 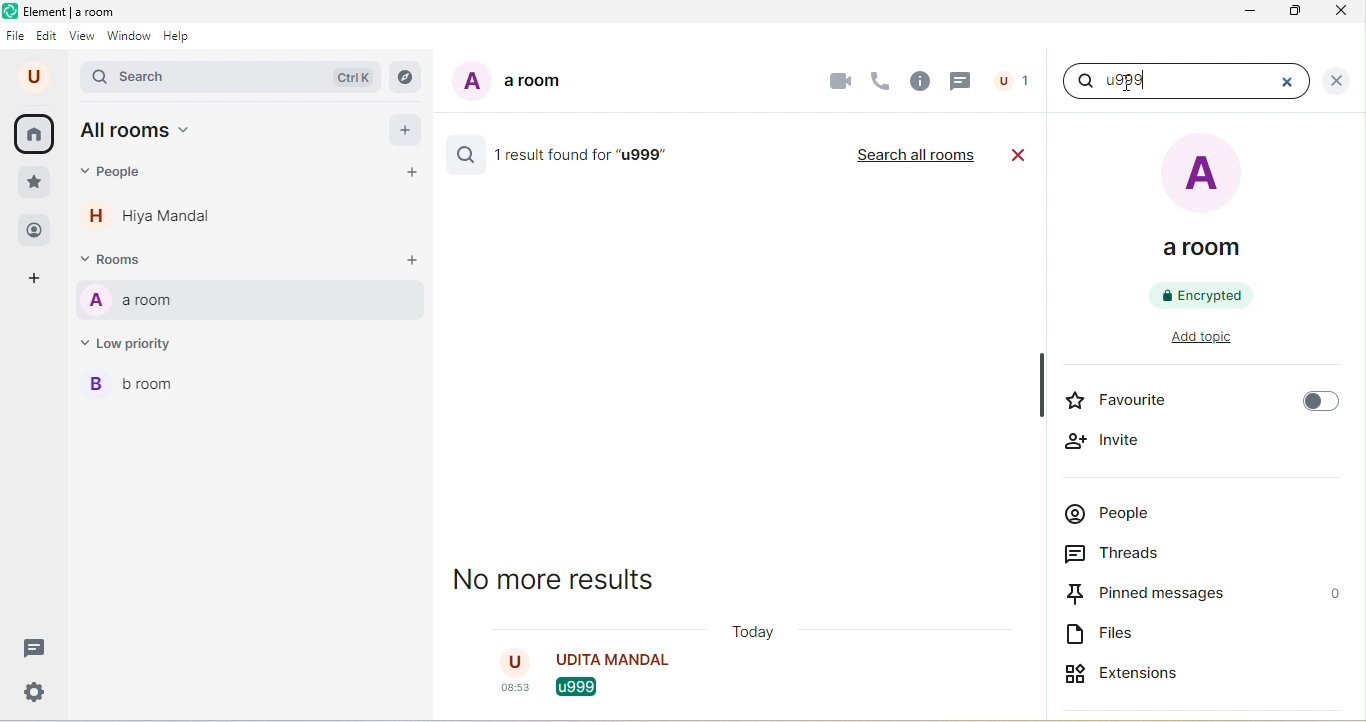 I want to click on search, so click(x=234, y=78).